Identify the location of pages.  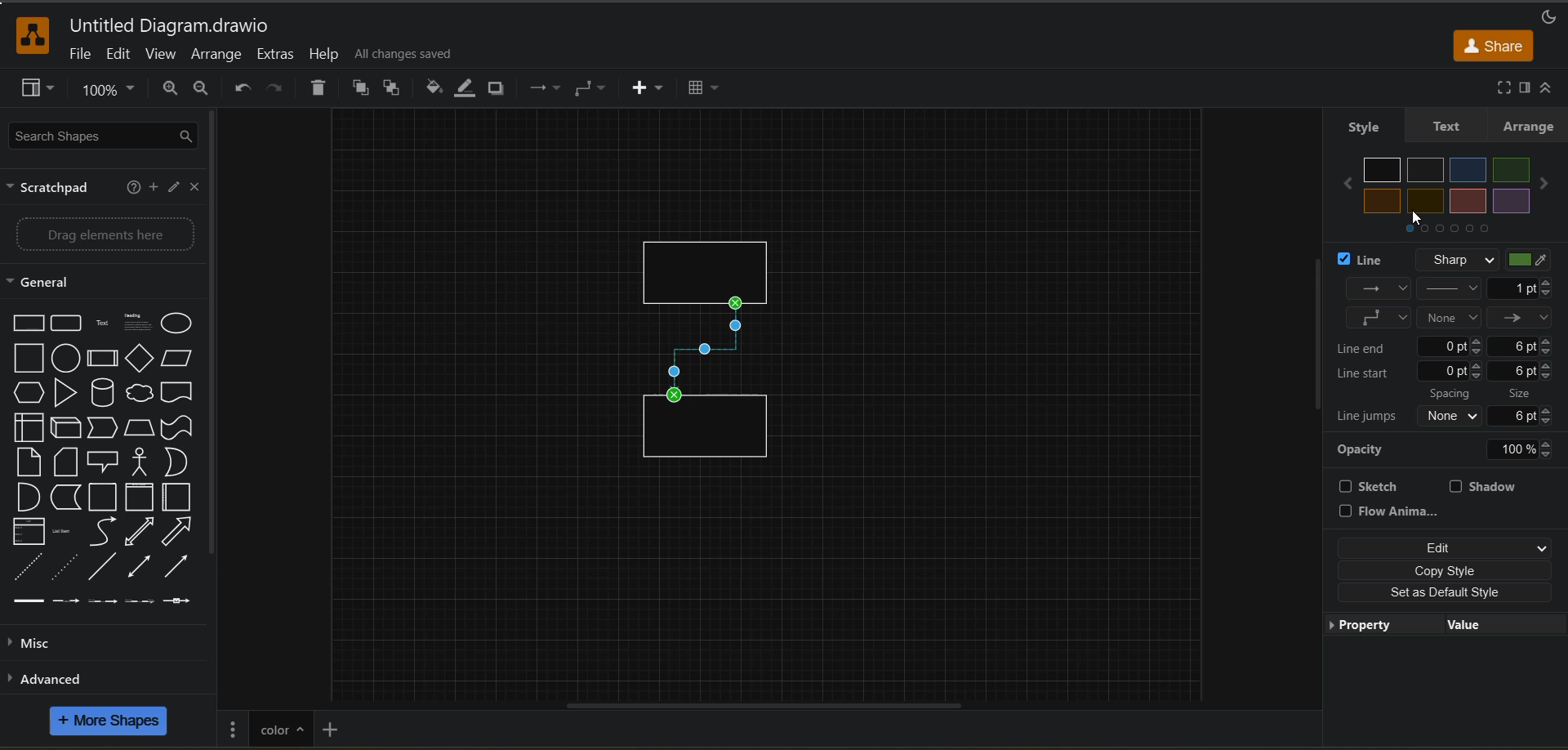
(234, 727).